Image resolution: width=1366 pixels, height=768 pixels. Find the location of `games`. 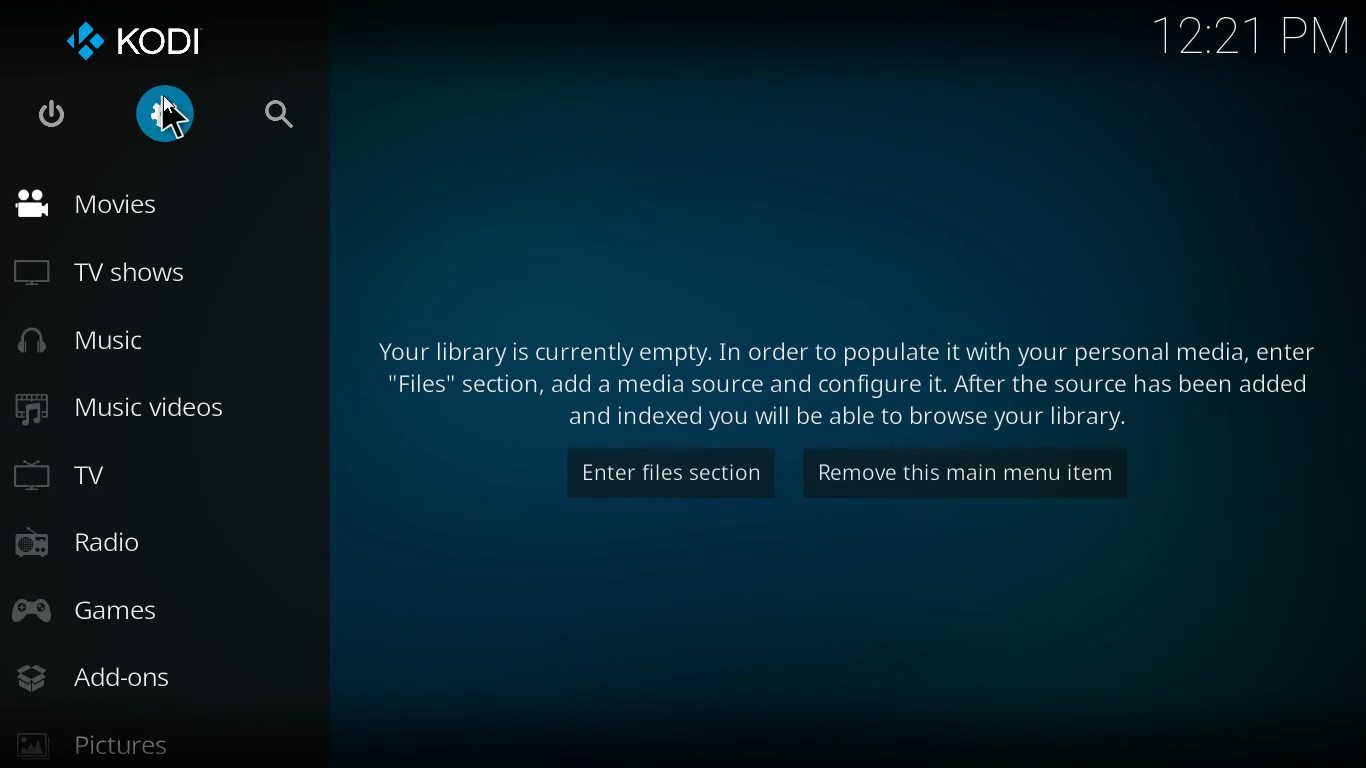

games is located at coordinates (145, 610).